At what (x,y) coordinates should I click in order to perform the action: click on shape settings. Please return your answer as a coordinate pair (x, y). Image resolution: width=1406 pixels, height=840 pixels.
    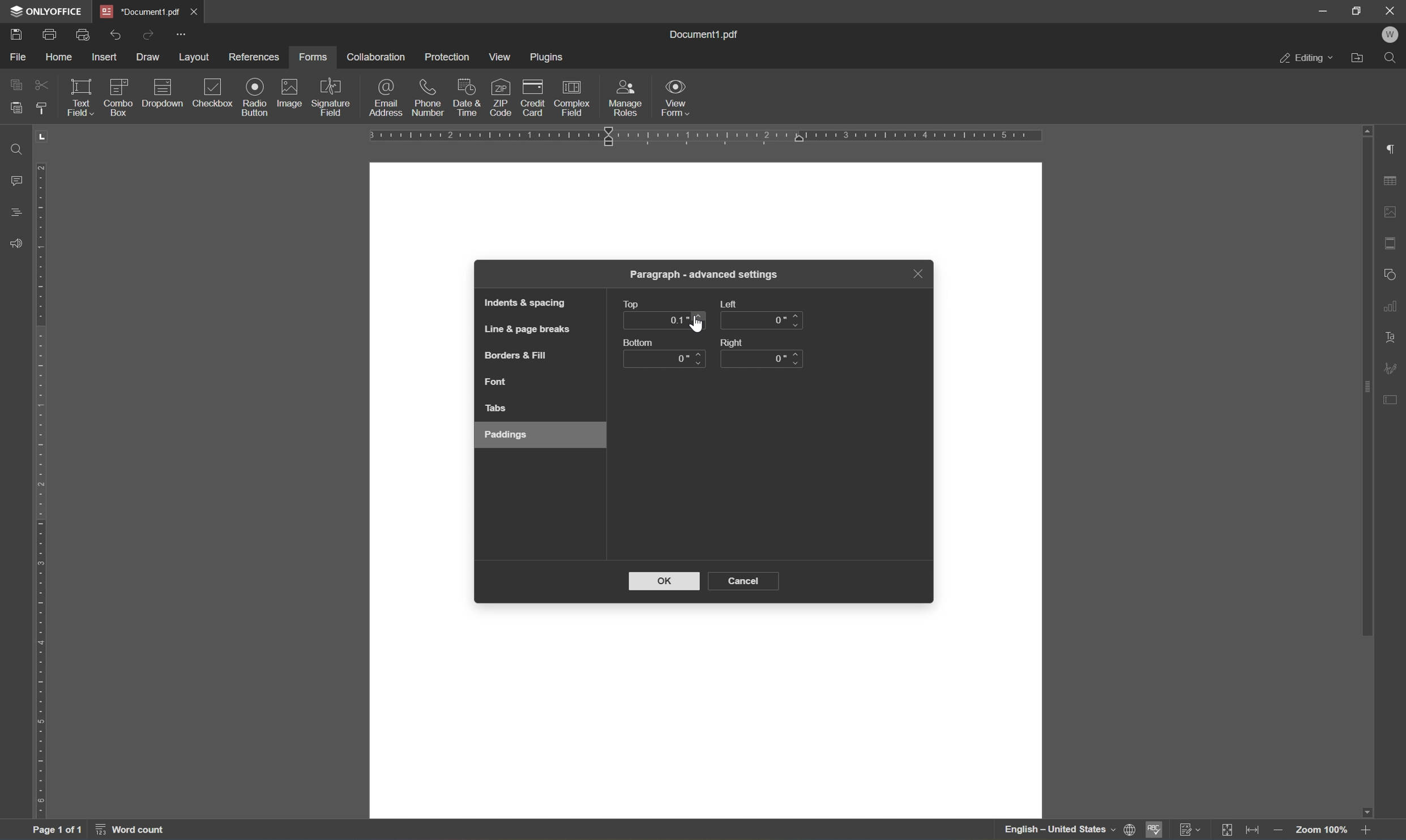
    Looking at the image, I should click on (1390, 273).